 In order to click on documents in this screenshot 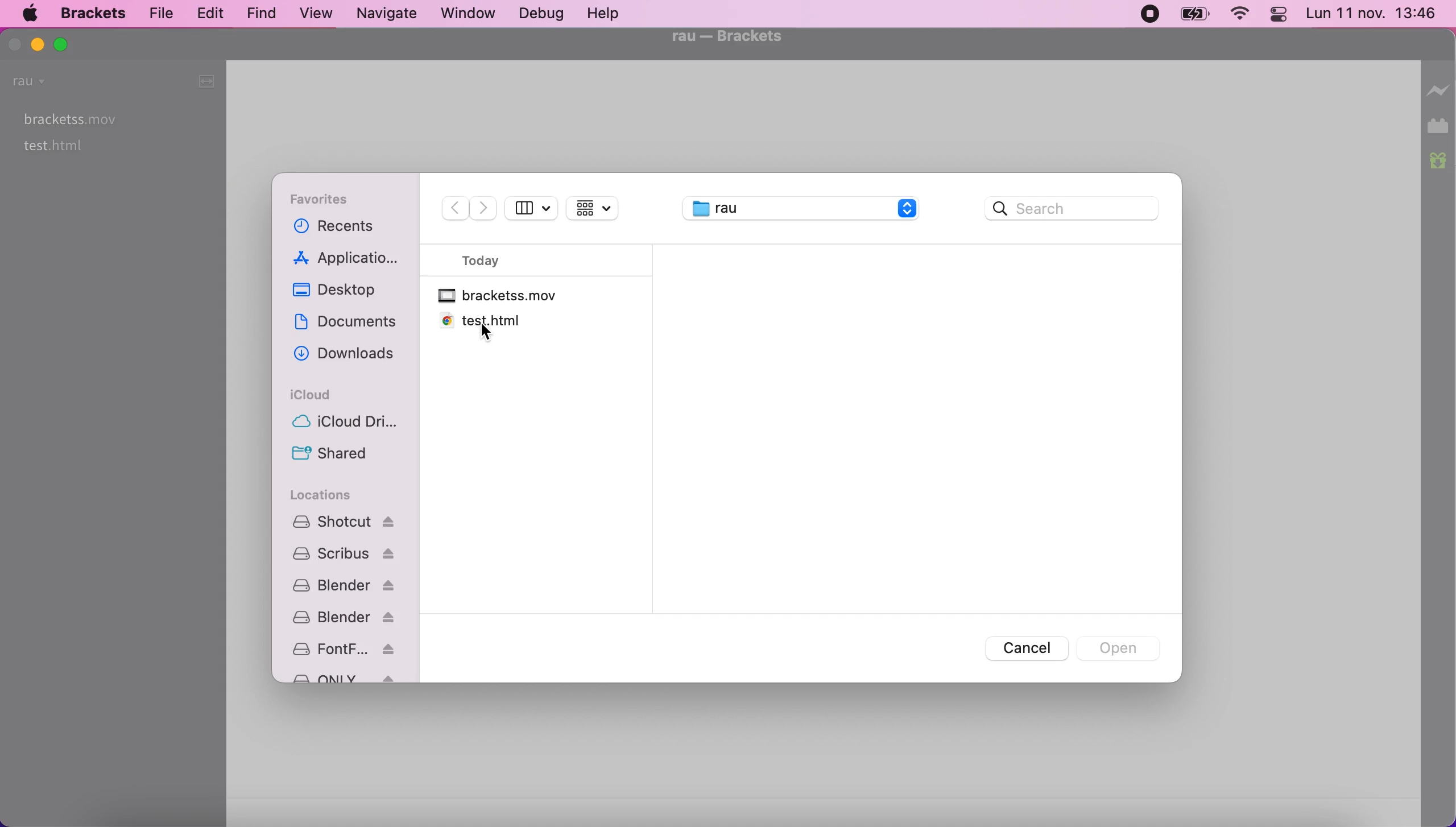, I will do `click(348, 323)`.